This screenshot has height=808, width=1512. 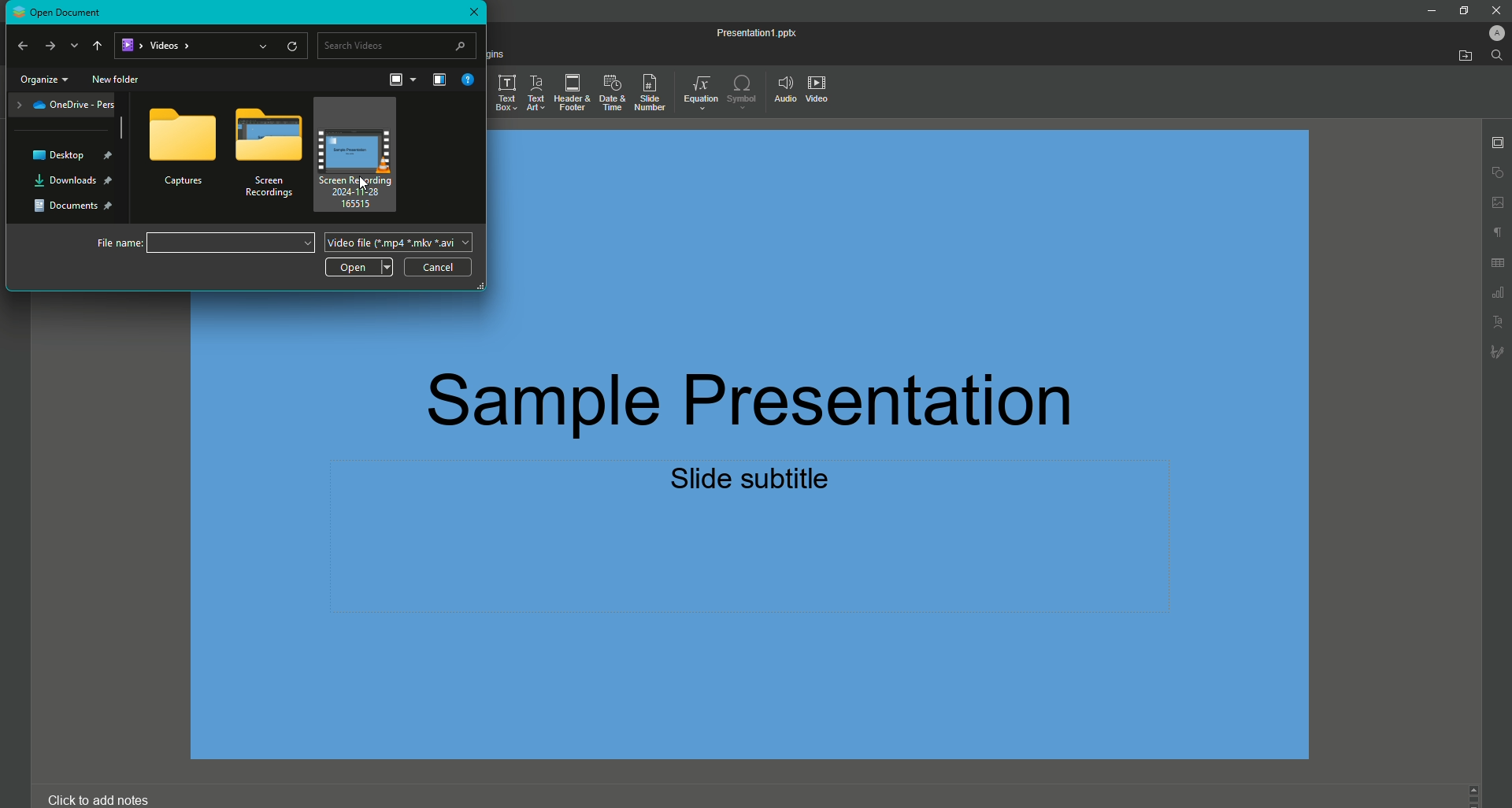 I want to click on Text box, so click(x=506, y=95).